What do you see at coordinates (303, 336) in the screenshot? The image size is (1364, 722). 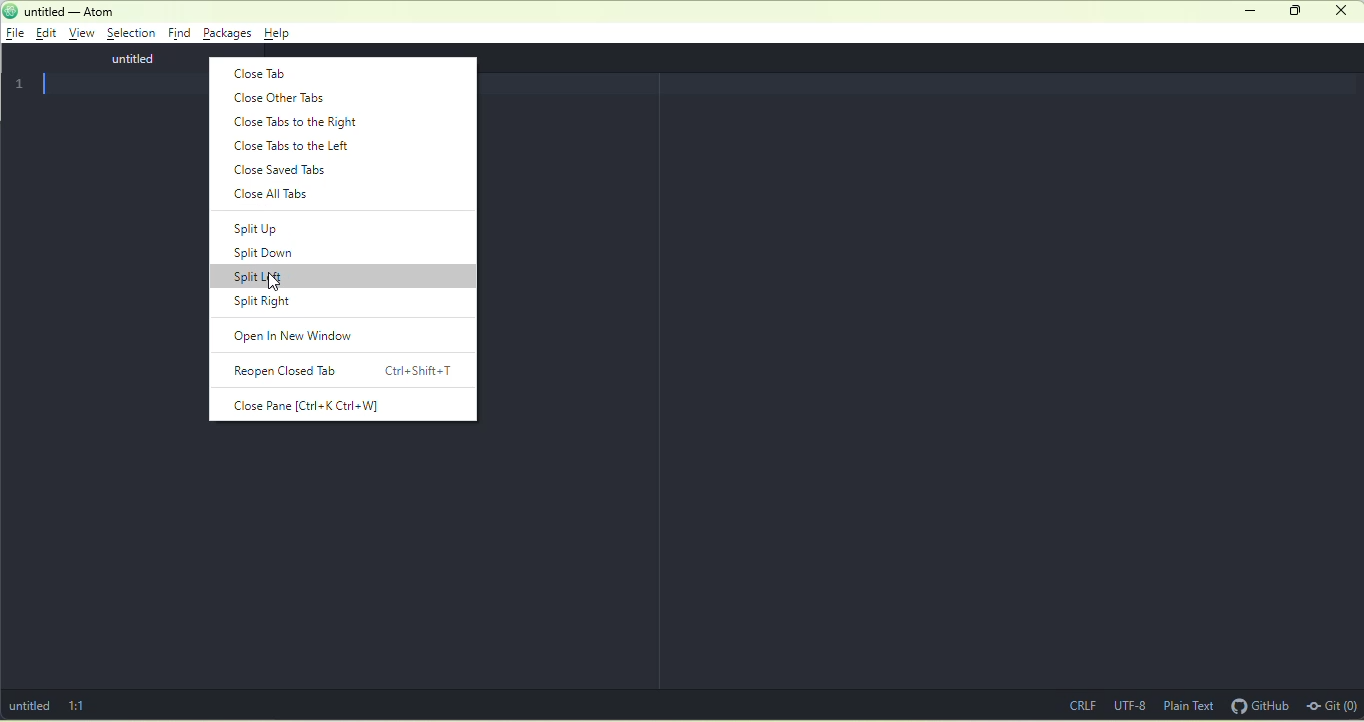 I see `open in new window` at bounding box center [303, 336].